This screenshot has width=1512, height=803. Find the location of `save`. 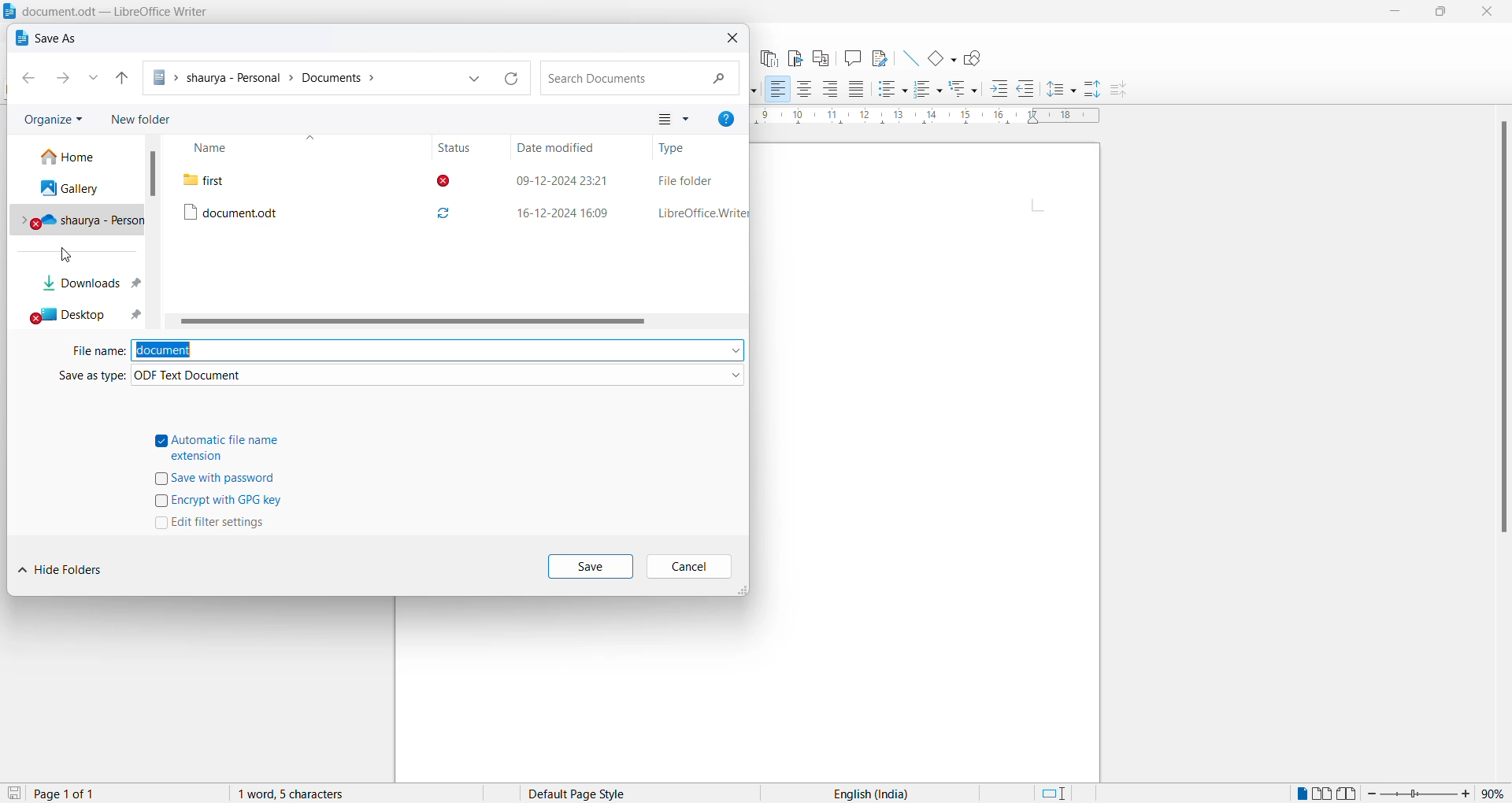

save is located at coordinates (13, 794).